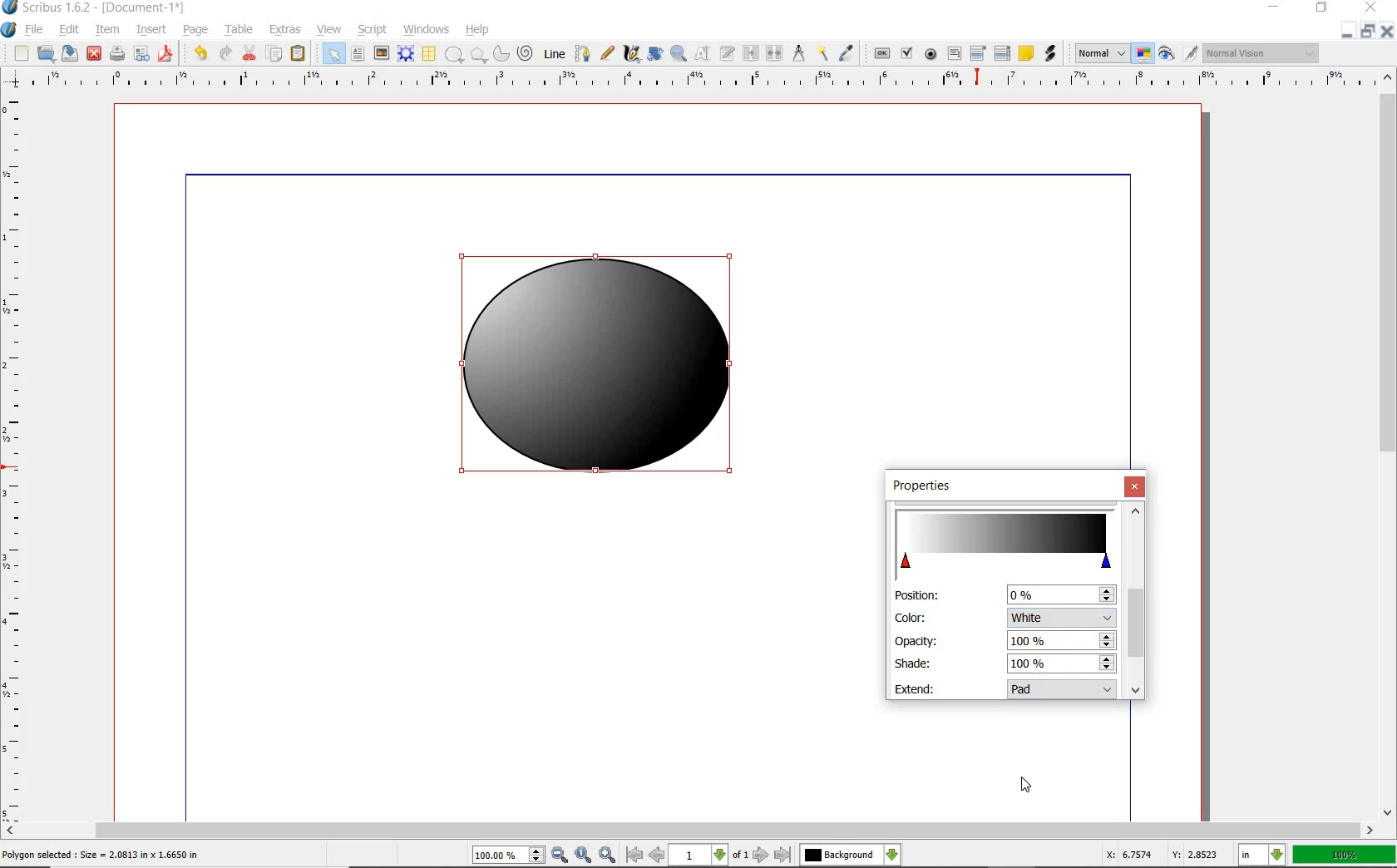  What do you see at coordinates (555, 54) in the screenshot?
I see `LINE` at bounding box center [555, 54].